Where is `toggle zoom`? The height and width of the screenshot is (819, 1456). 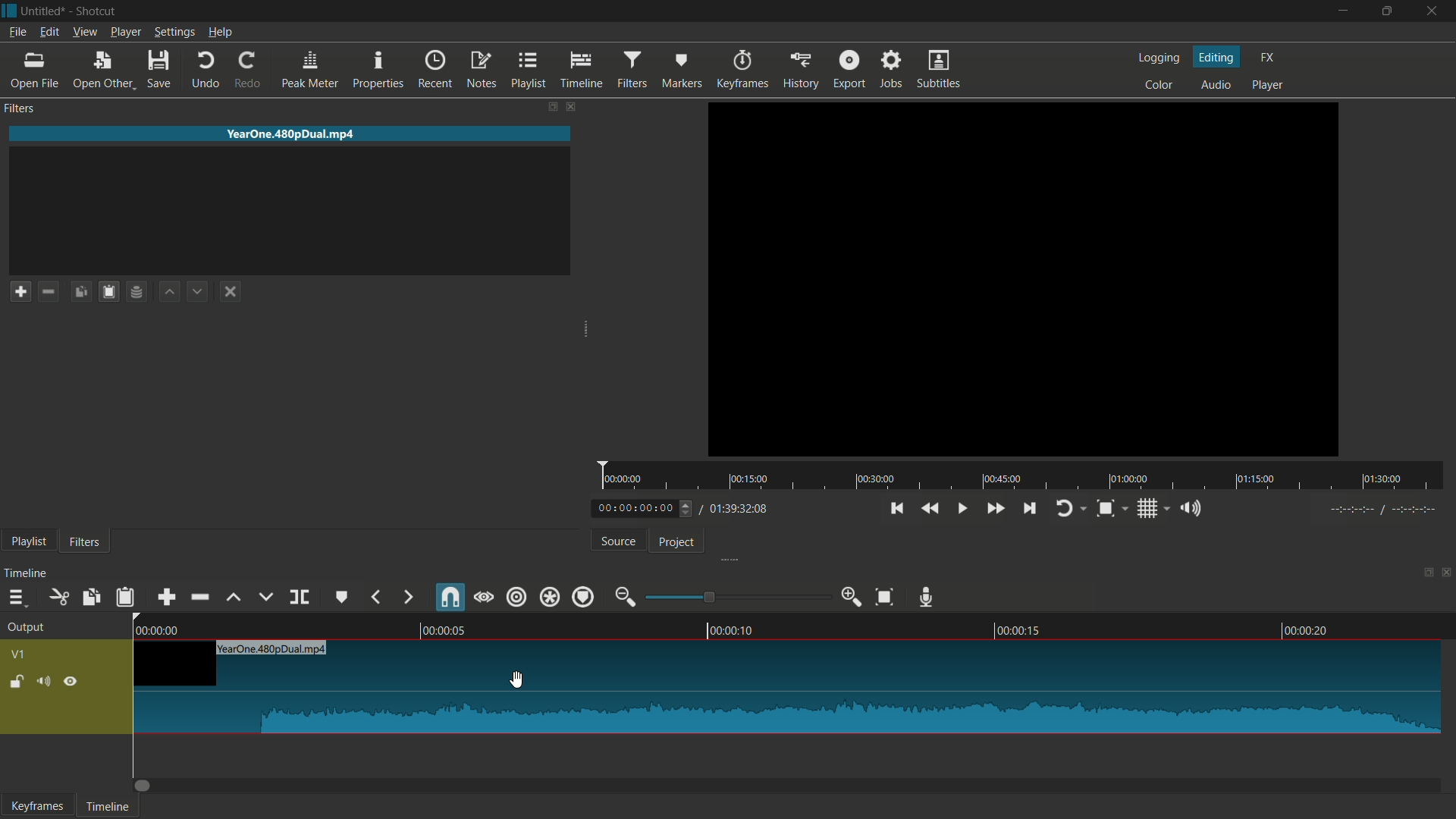
toggle zoom is located at coordinates (1106, 509).